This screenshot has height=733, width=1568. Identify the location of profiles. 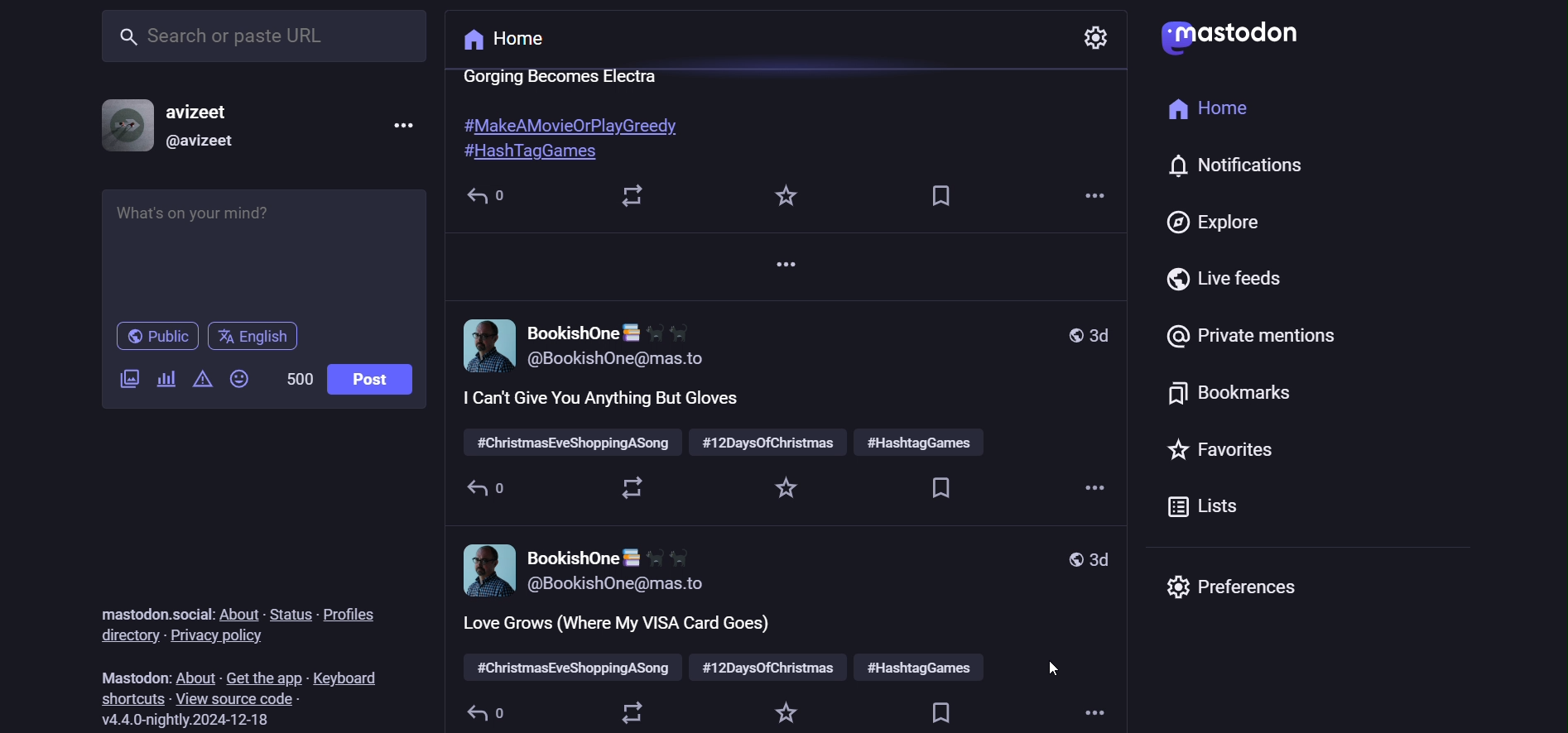
(354, 614).